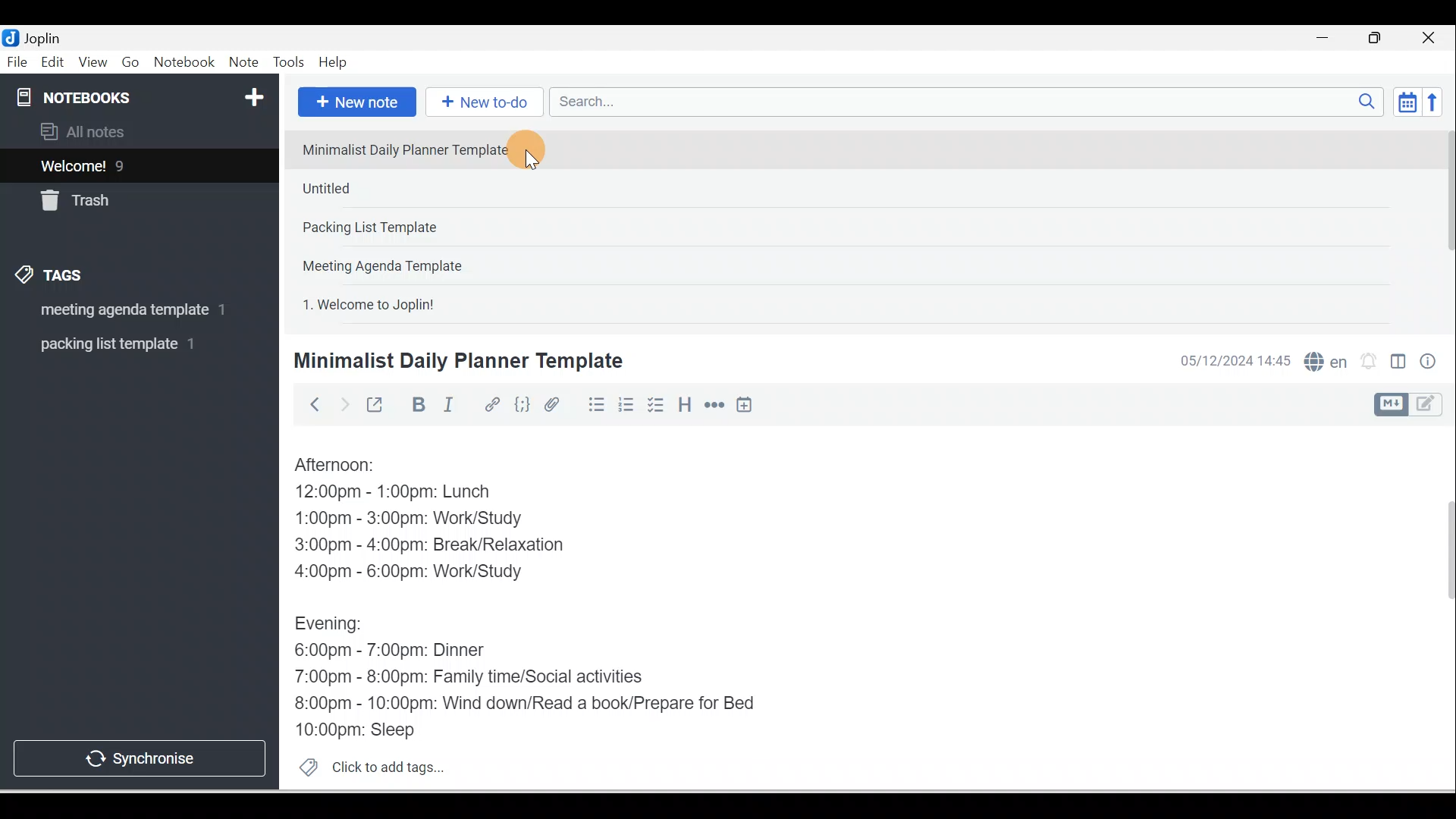  I want to click on New to-do, so click(481, 103).